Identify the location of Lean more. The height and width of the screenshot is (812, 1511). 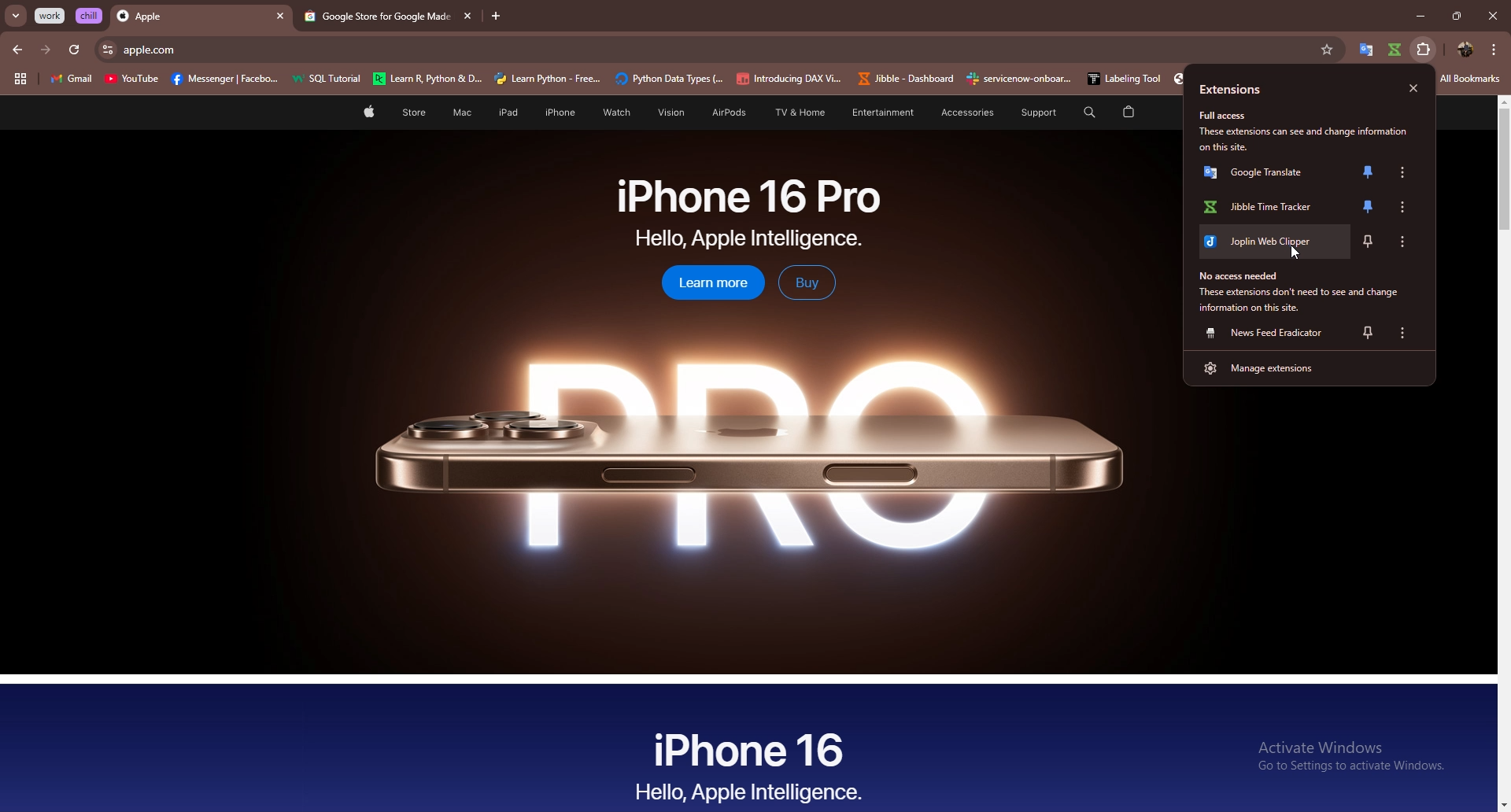
(704, 284).